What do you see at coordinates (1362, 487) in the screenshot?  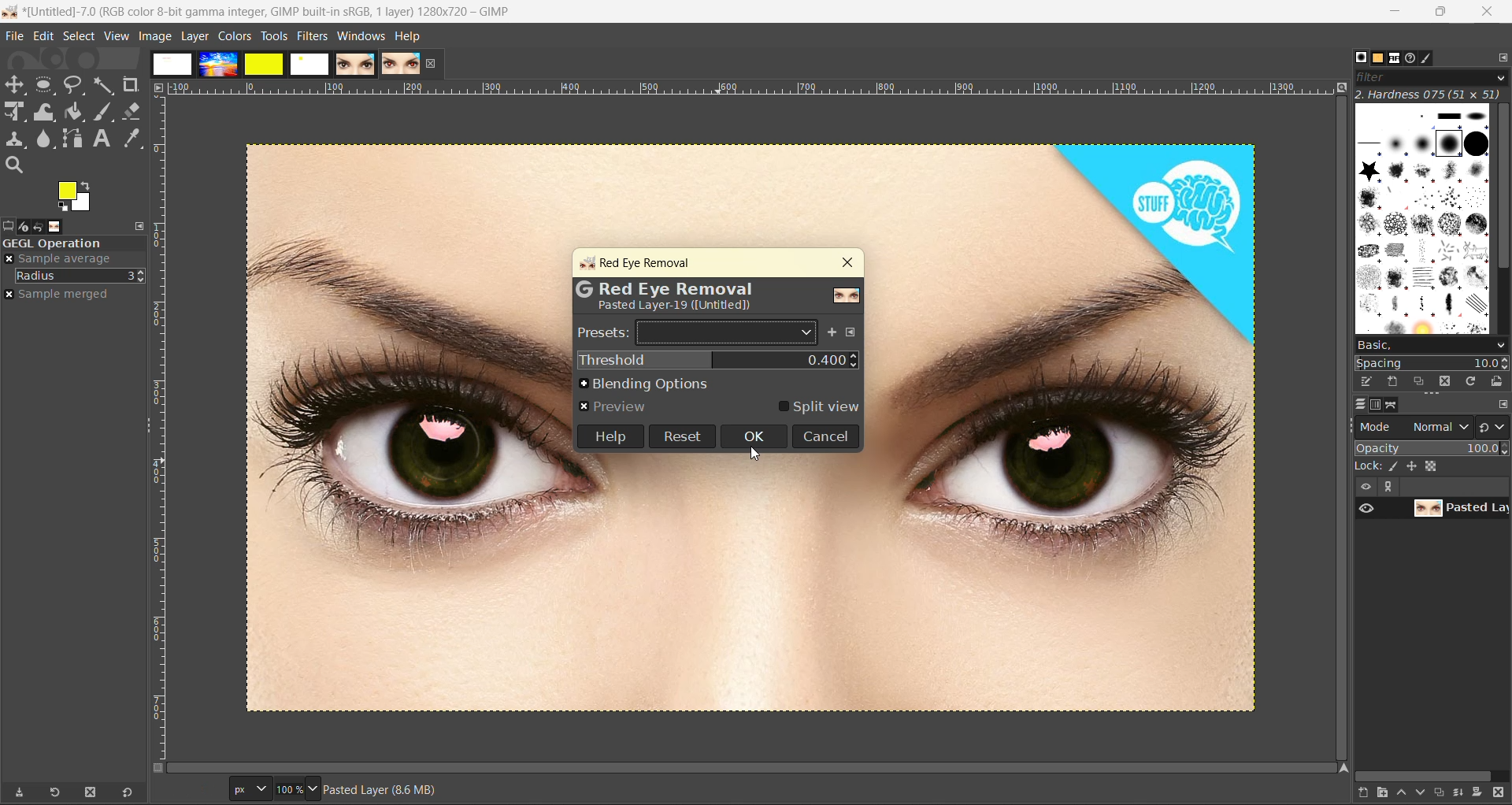 I see `view` at bounding box center [1362, 487].